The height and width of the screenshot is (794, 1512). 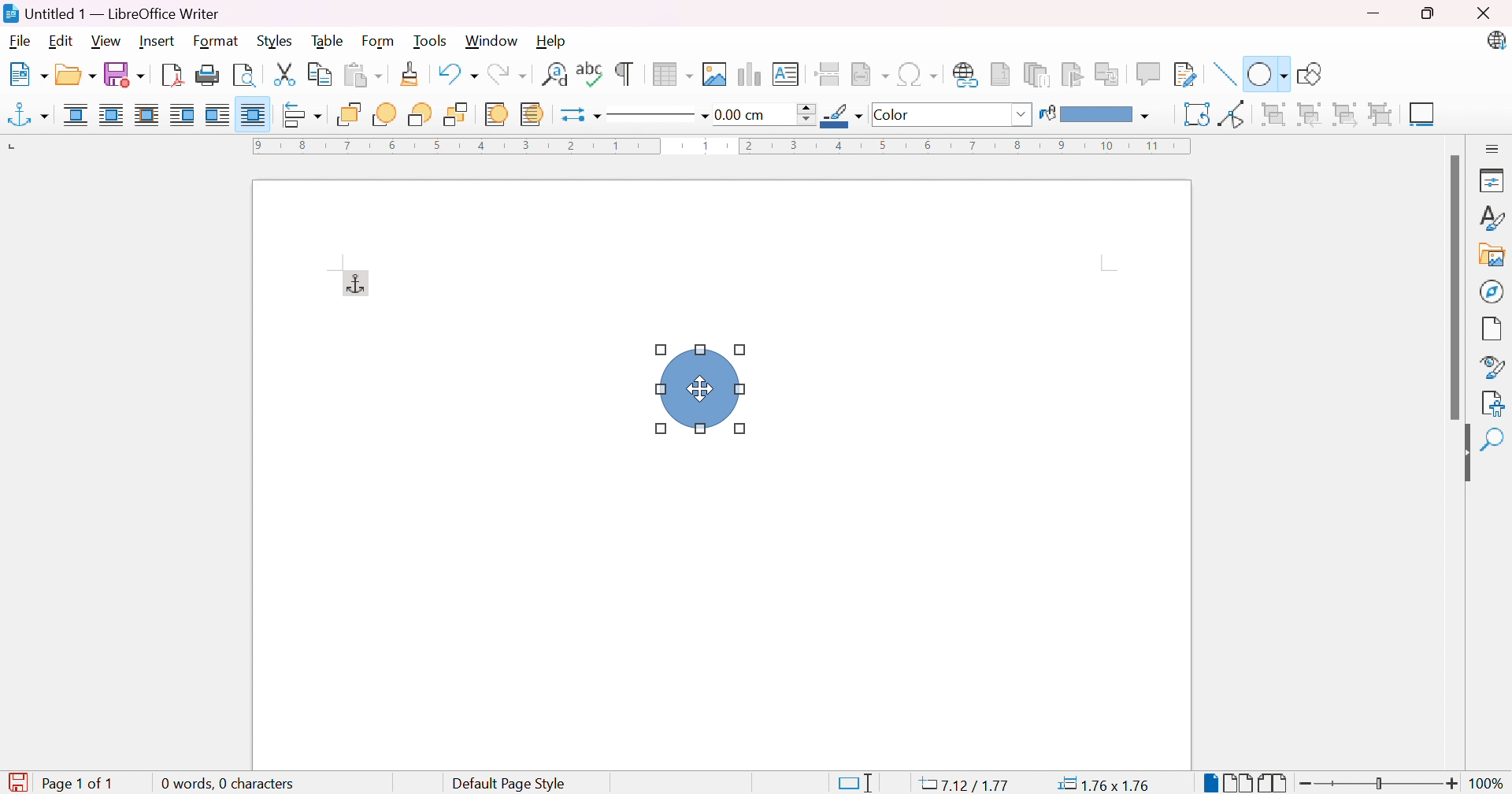 What do you see at coordinates (1425, 117) in the screenshot?
I see `Insert caption` at bounding box center [1425, 117].